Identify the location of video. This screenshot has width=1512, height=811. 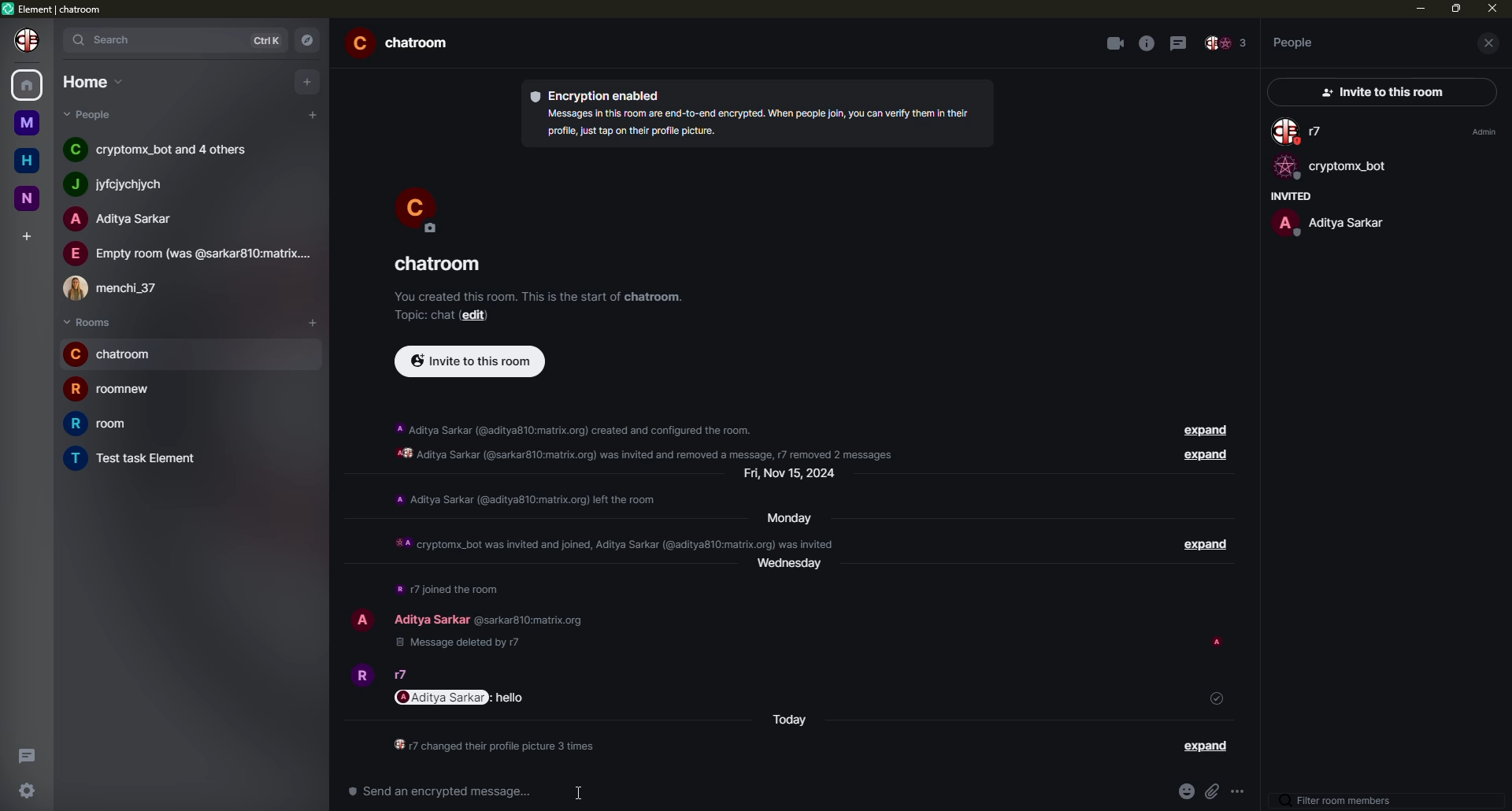
(1114, 43).